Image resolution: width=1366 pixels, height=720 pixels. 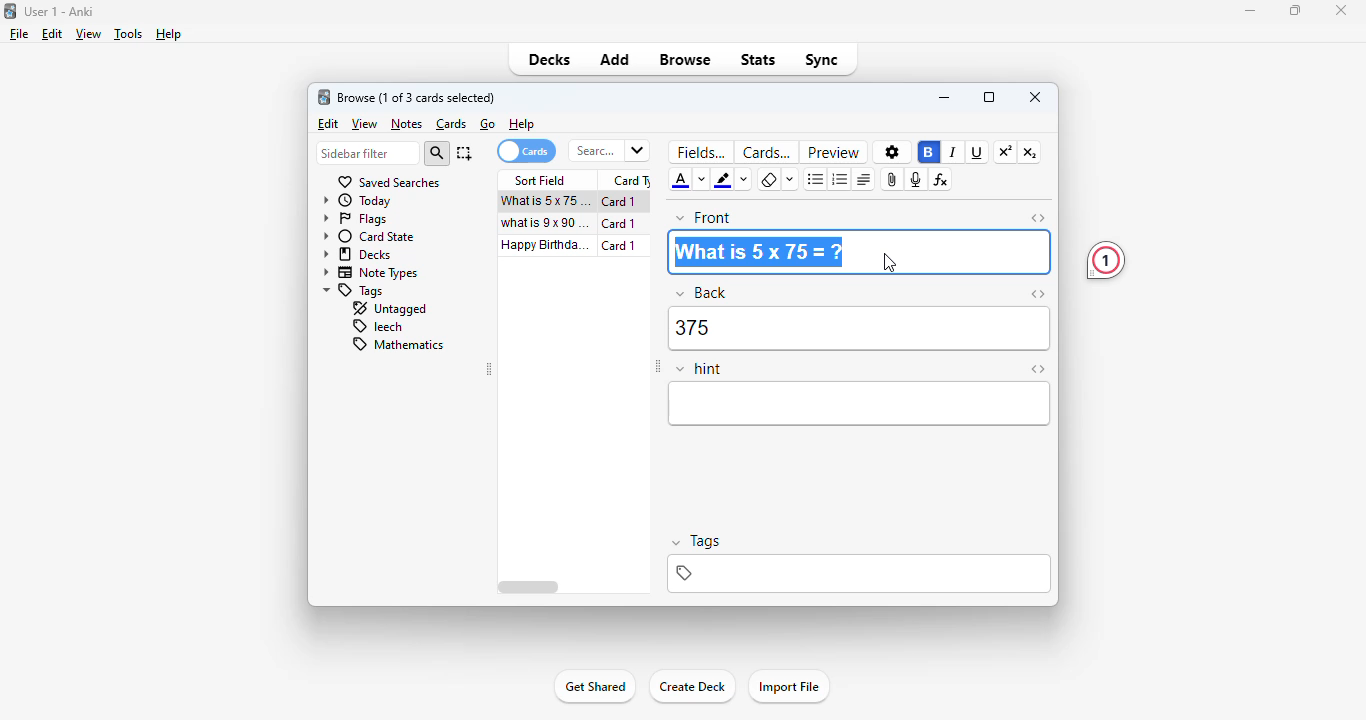 I want to click on maximize, so click(x=1296, y=10).